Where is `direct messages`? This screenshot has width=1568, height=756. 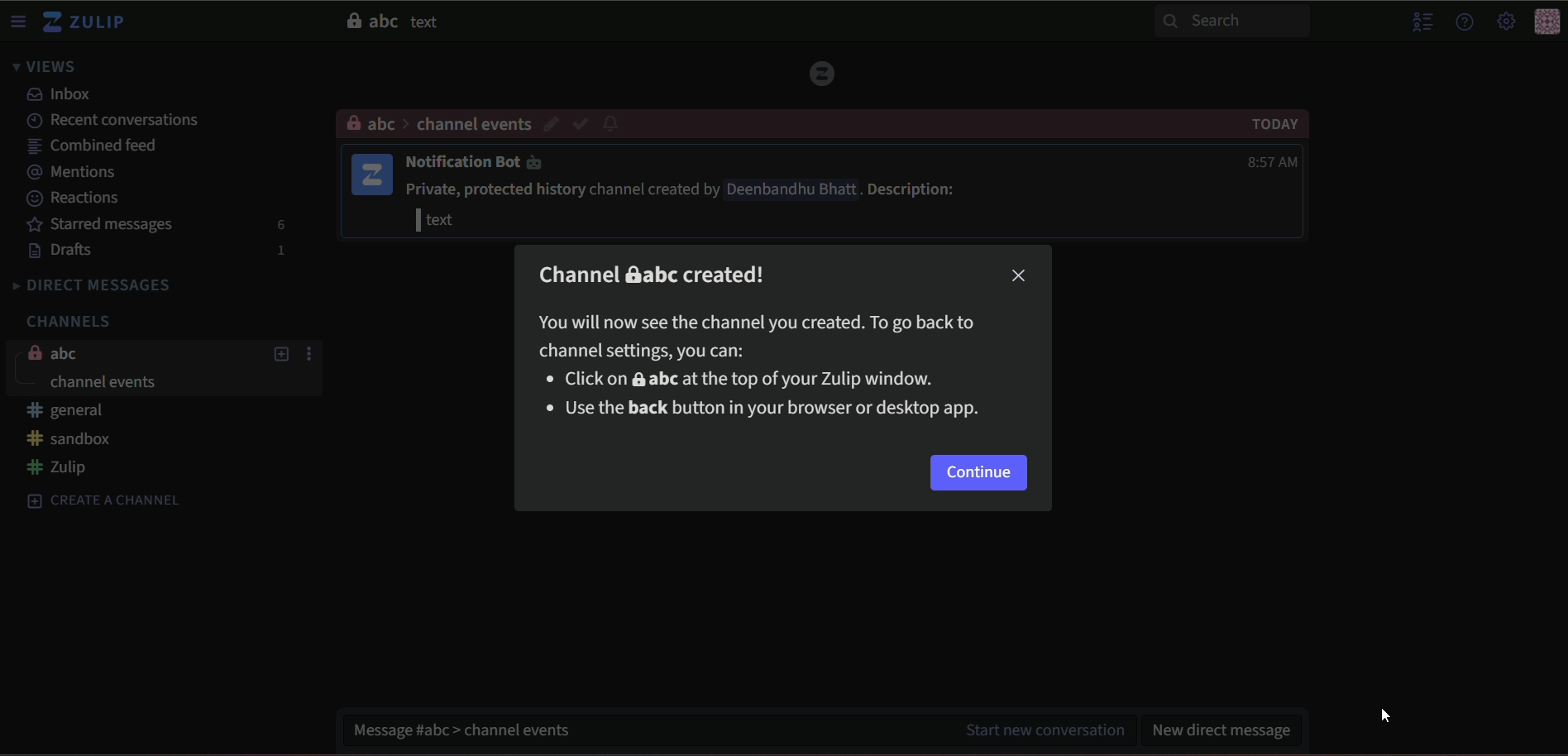
direct messages is located at coordinates (95, 285).